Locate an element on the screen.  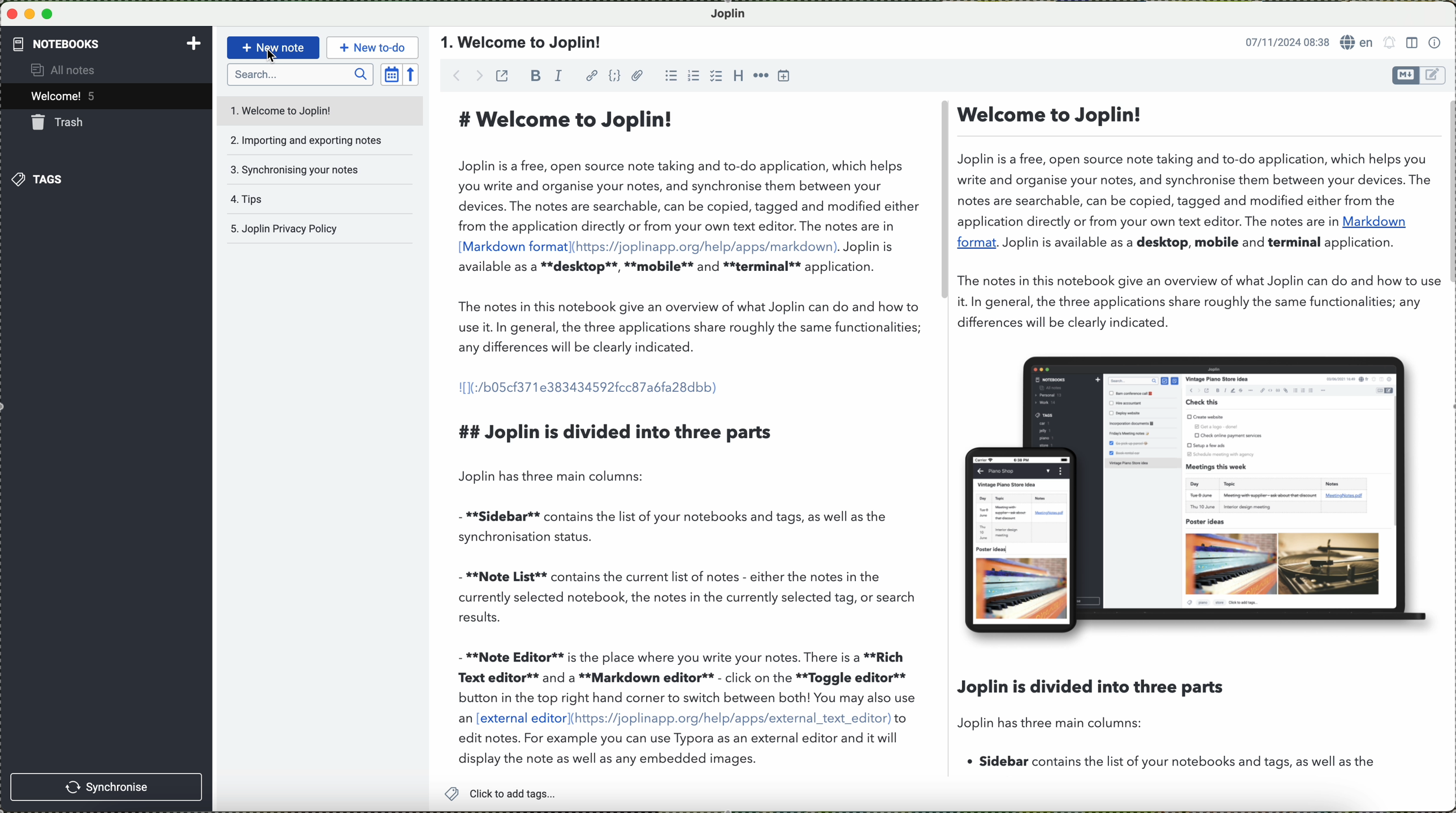
welcome 5 is located at coordinates (66, 98).